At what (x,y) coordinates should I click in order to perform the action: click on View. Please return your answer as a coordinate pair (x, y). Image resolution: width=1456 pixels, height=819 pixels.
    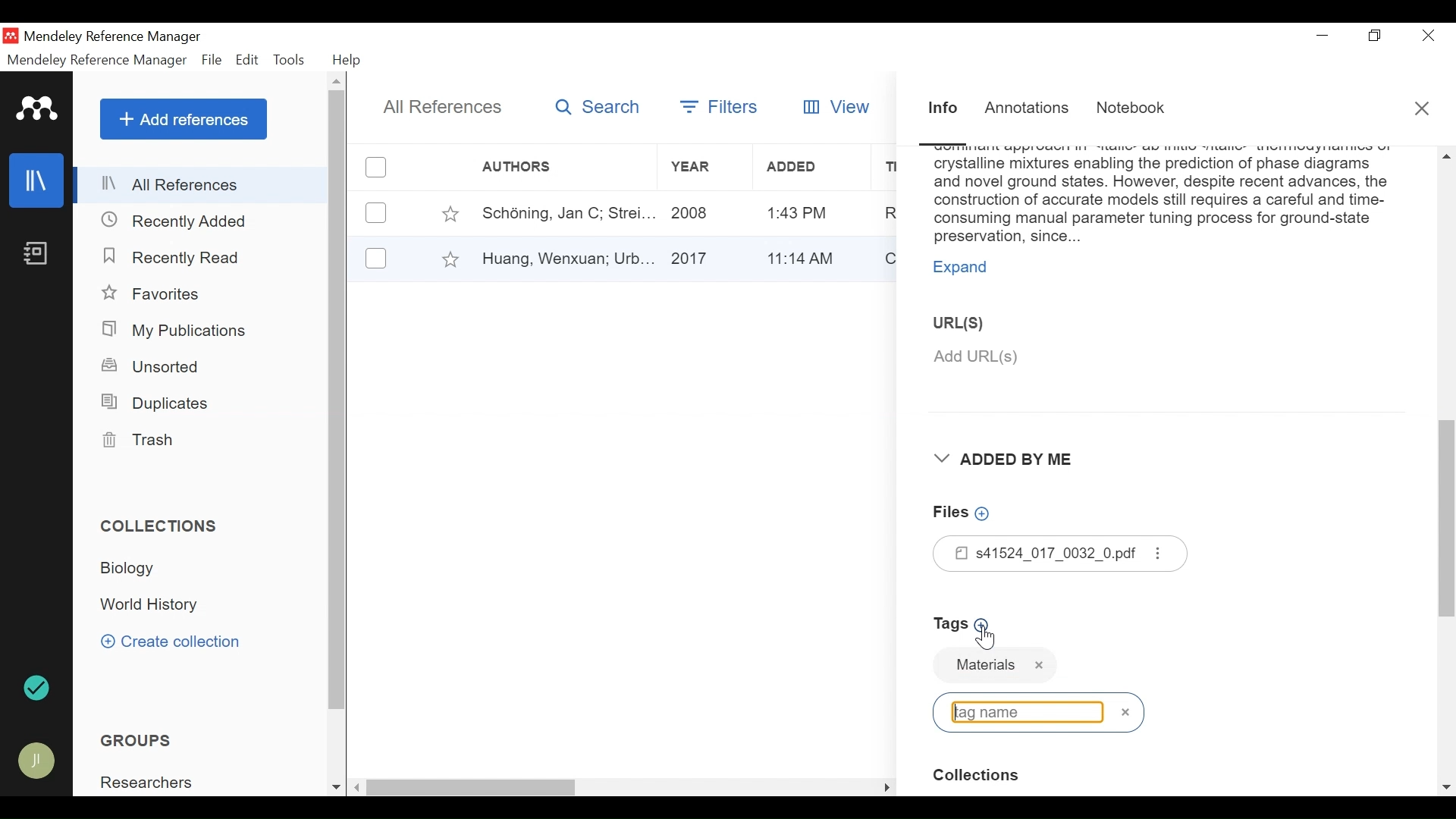
    Looking at the image, I should click on (838, 105).